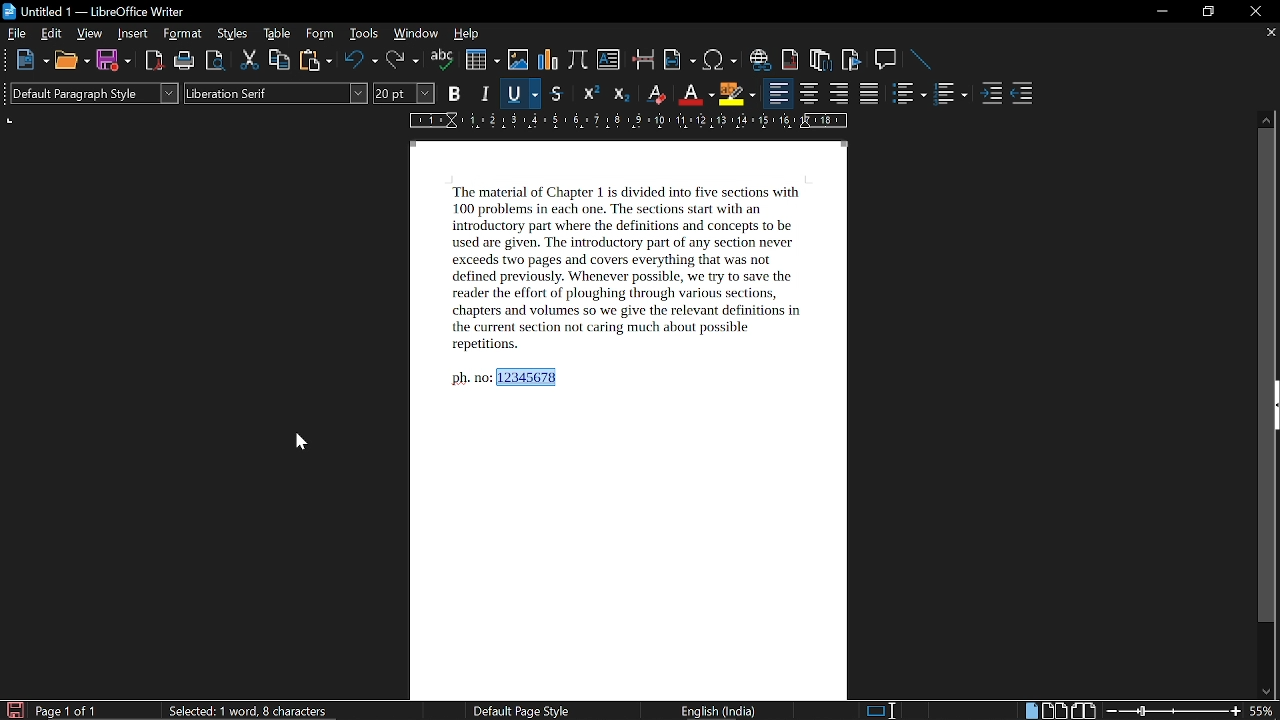 Image resolution: width=1280 pixels, height=720 pixels. Describe the element at coordinates (790, 60) in the screenshot. I see `insert footnote` at that location.